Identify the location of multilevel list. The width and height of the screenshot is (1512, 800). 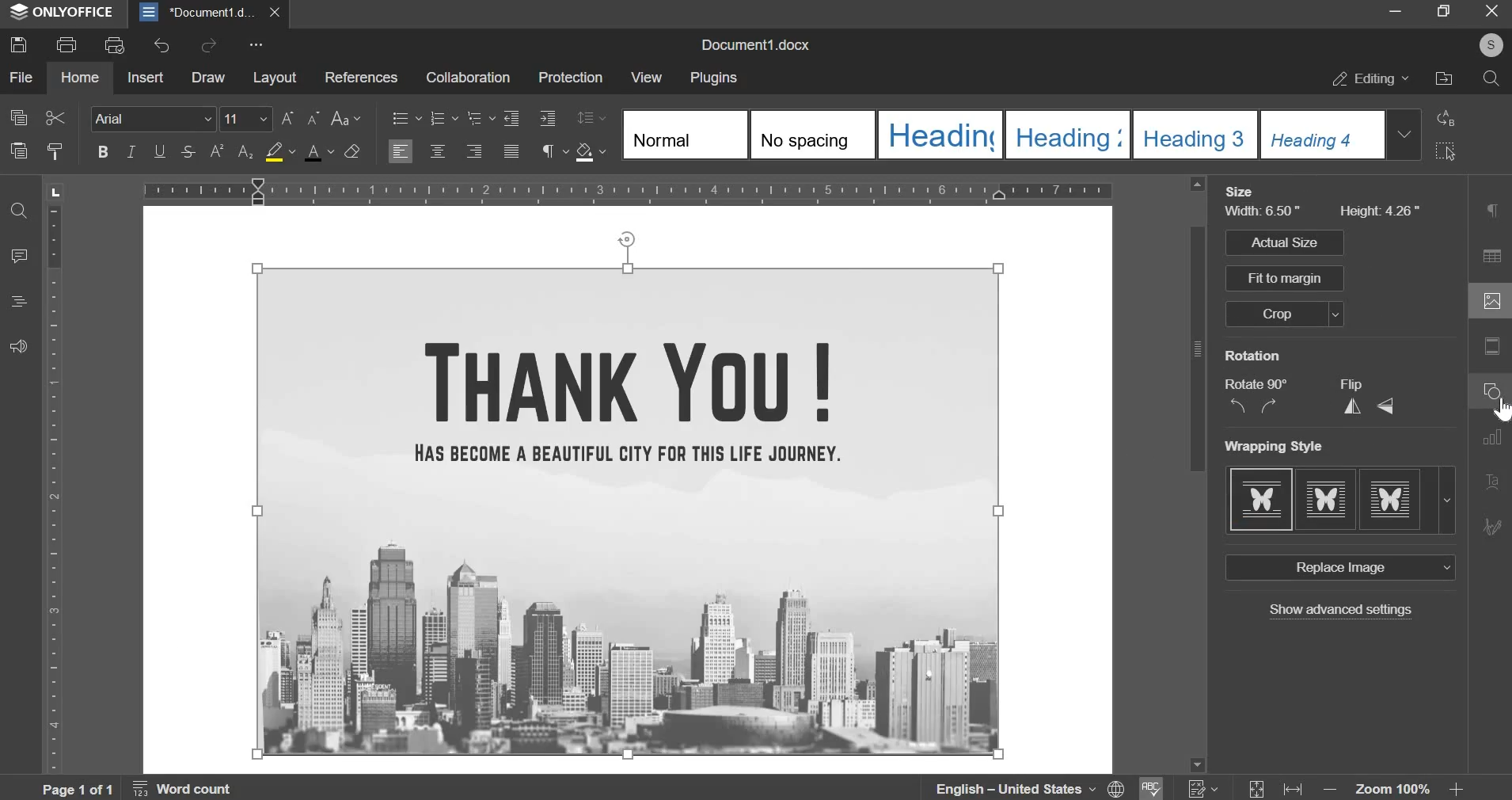
(479, 116).